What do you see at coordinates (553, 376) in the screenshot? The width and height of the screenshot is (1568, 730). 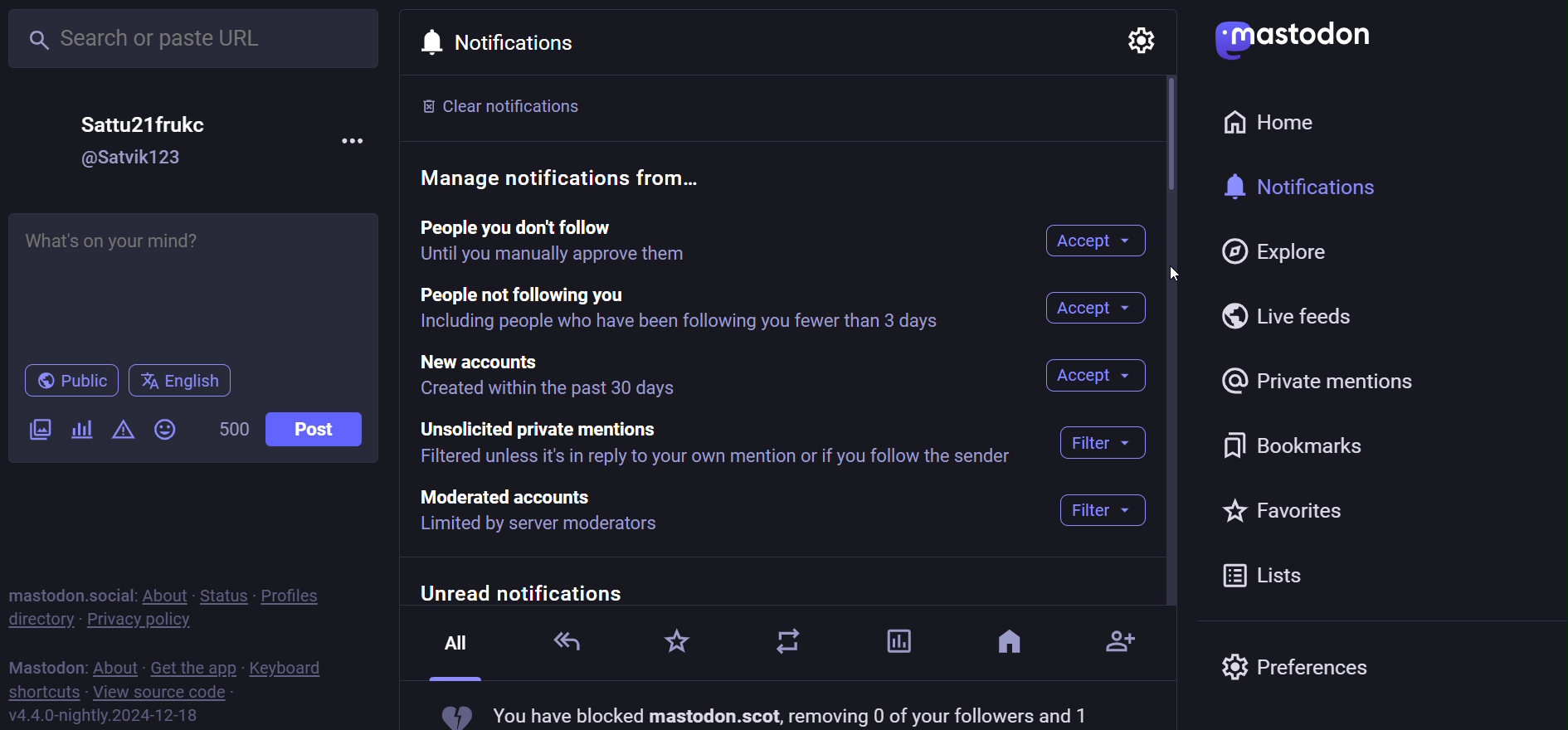 I see `New accounts
Created within the past 30 days` at bounding box center [553, 376].